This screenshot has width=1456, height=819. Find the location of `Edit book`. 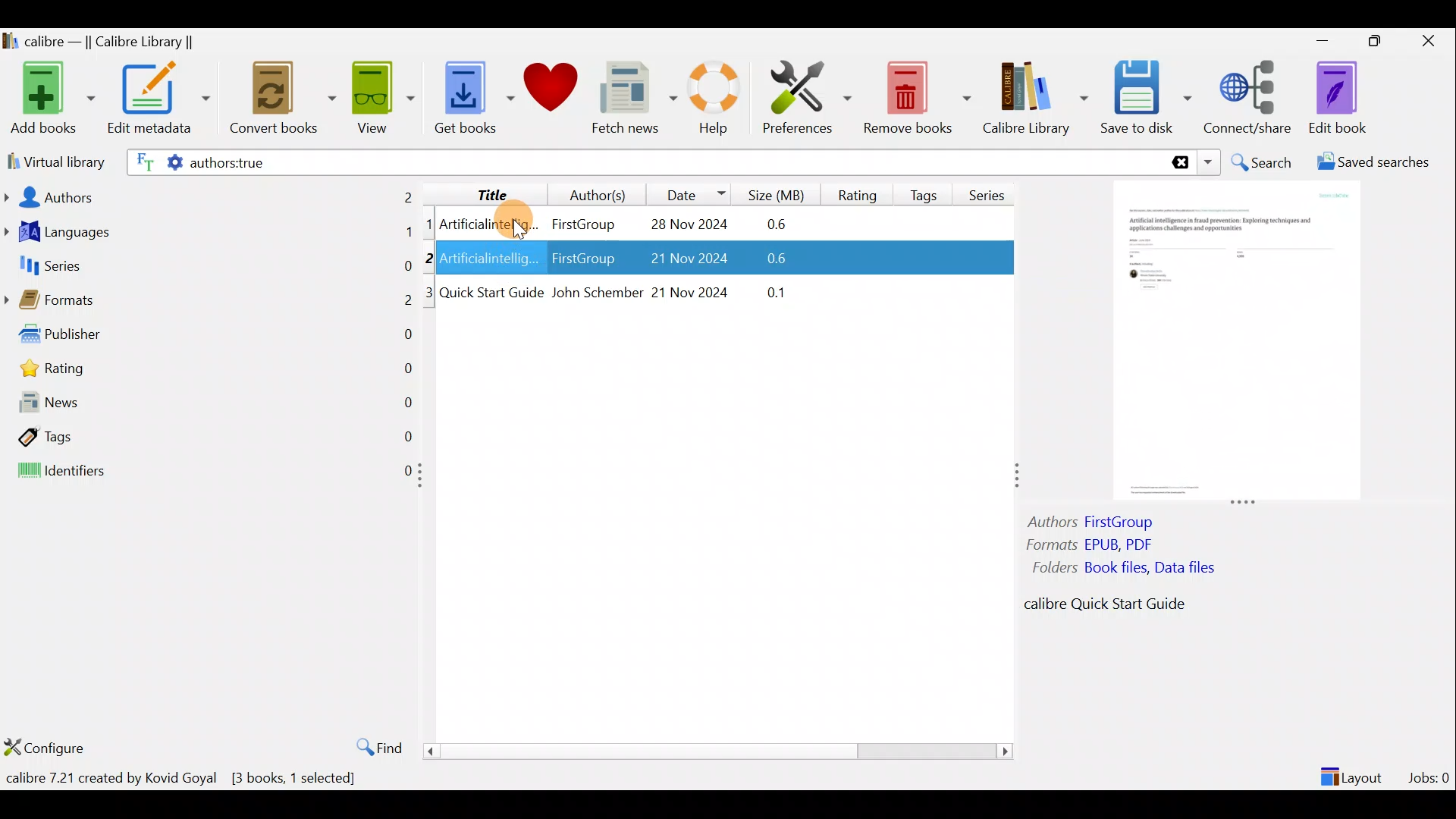

Edit book is located at coordinates (1335, 99).